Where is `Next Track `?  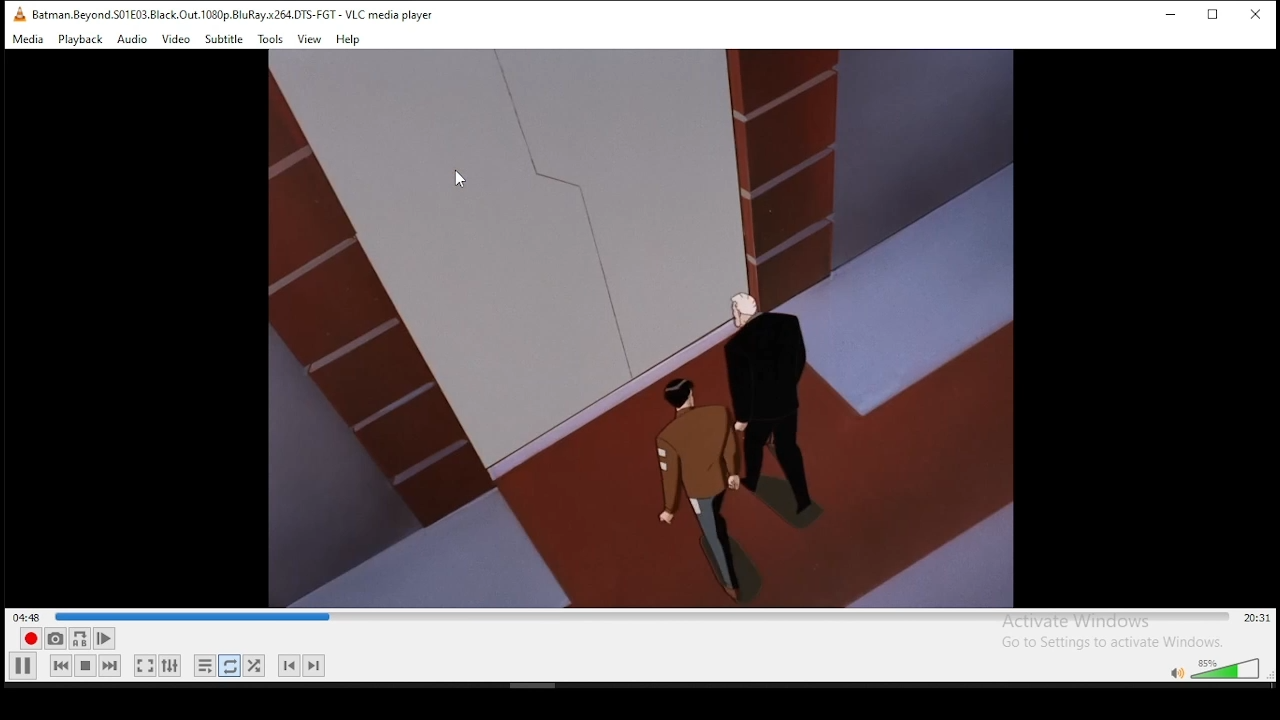
Next Track  is located at coordinates (317, 665).